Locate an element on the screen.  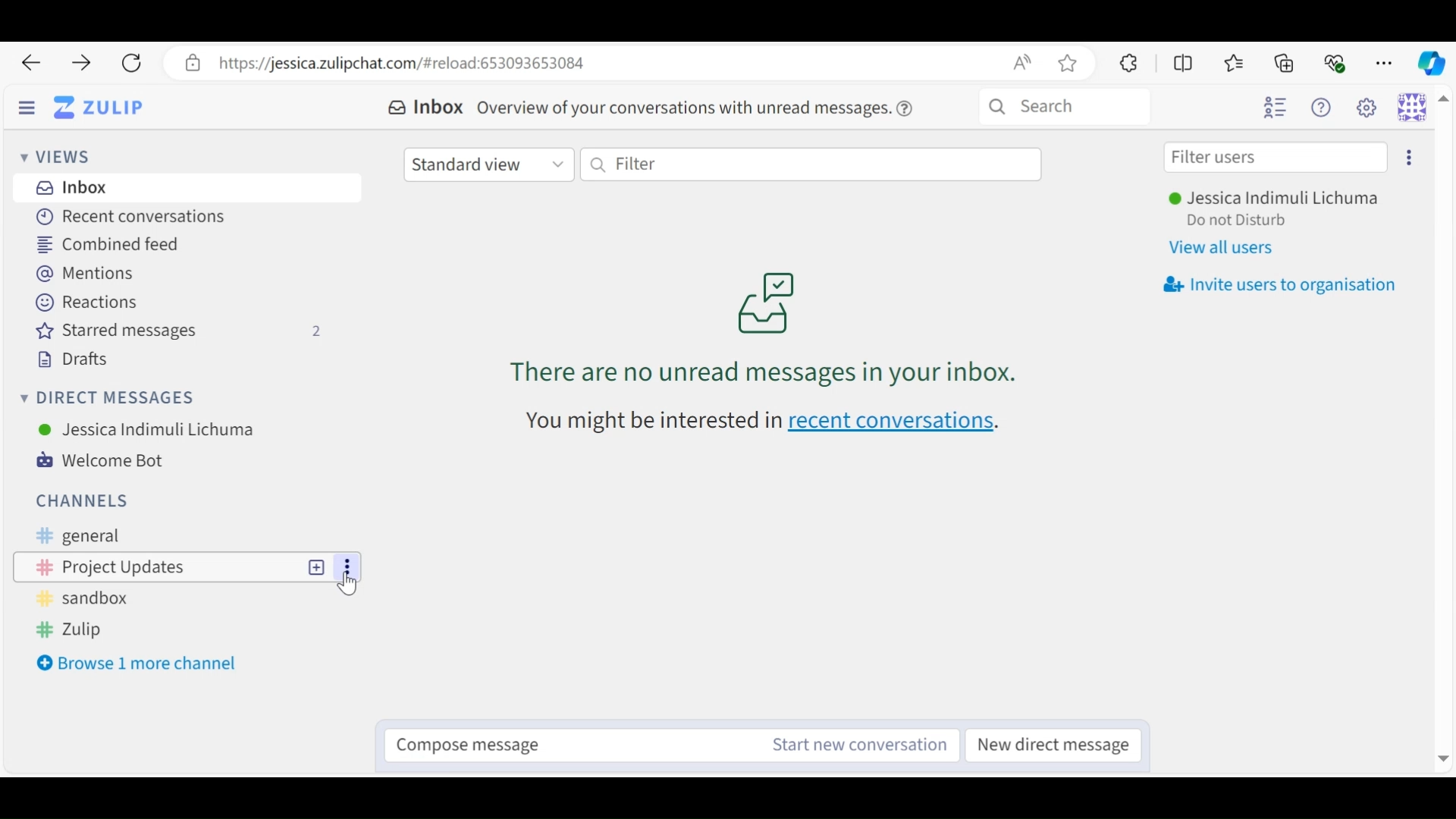
Channel is located at coordinates (151, 565).